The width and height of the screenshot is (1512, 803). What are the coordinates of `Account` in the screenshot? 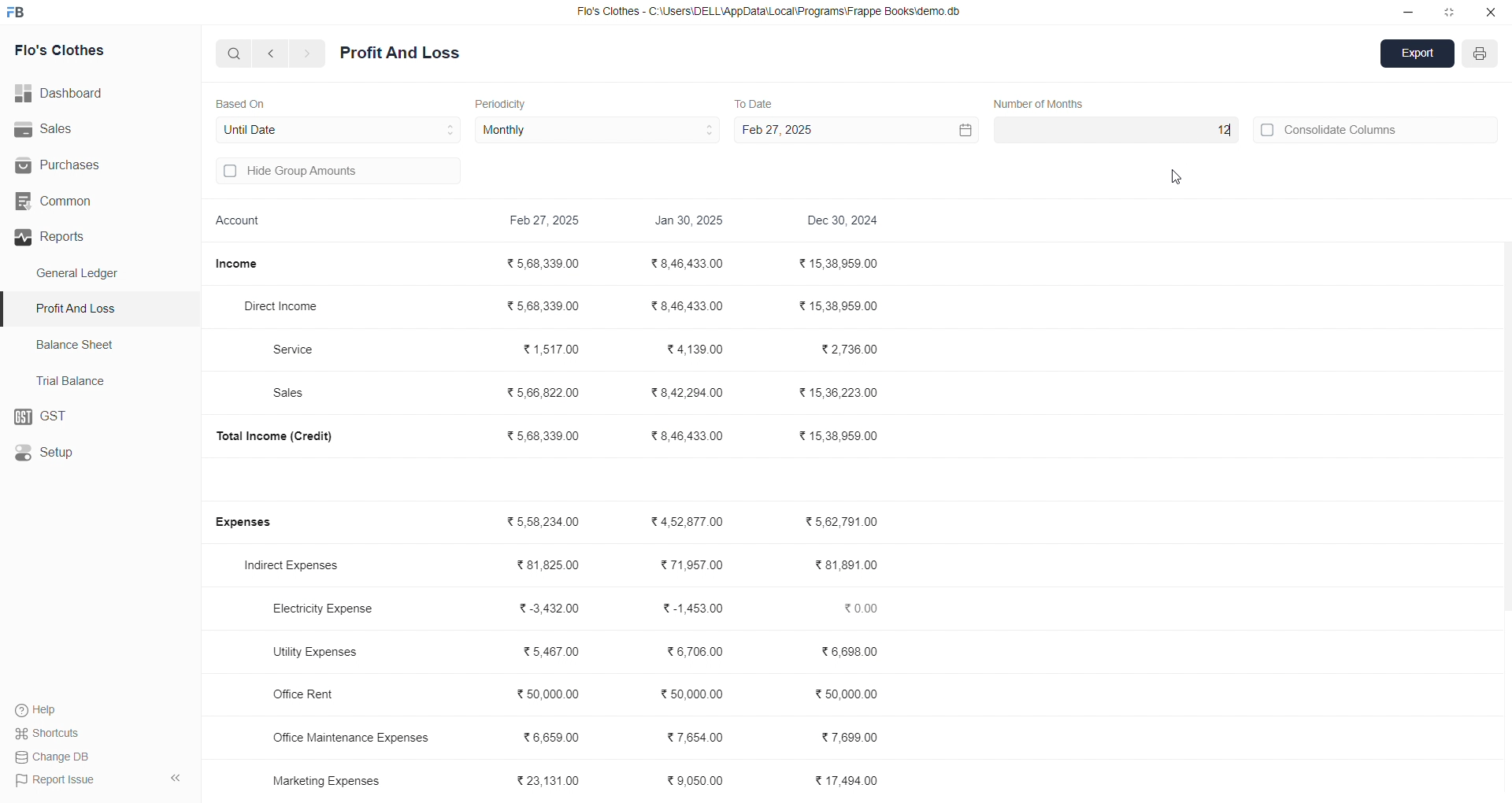 It's located at (242, 223).